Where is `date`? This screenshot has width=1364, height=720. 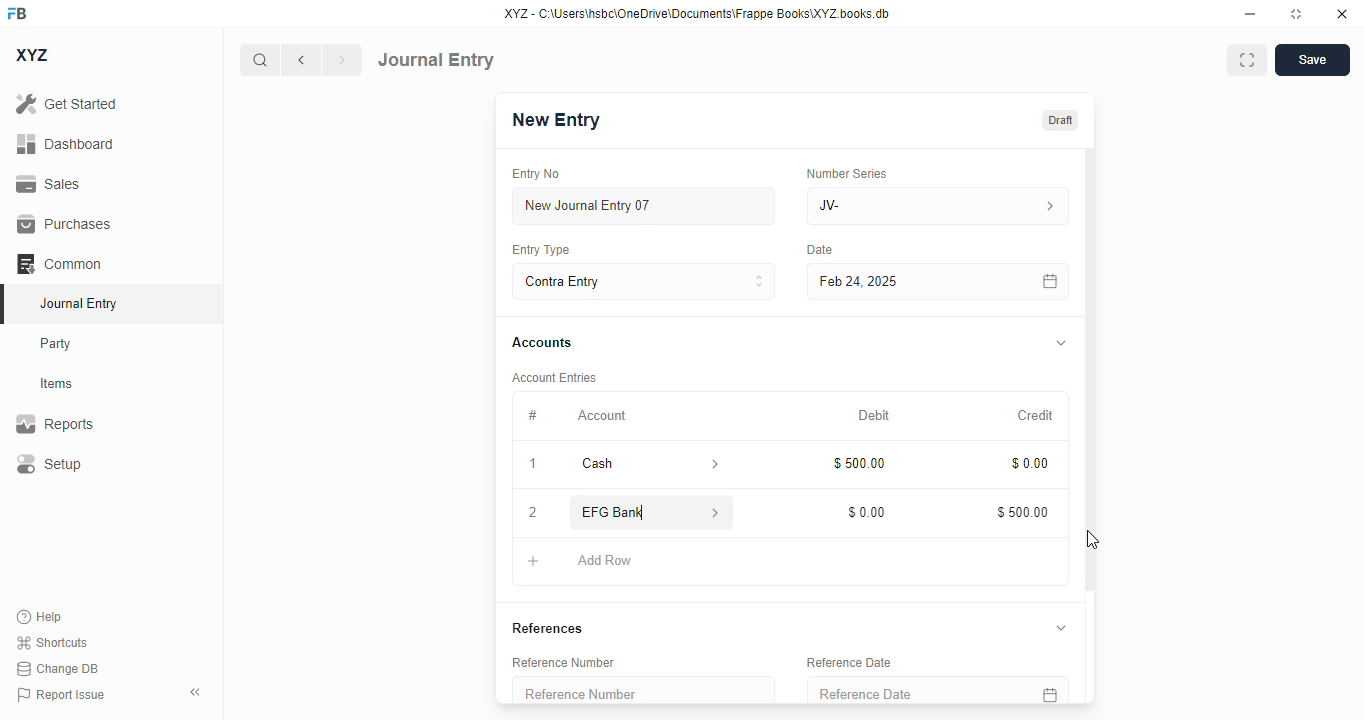 date is located at coordinates (820, 250).